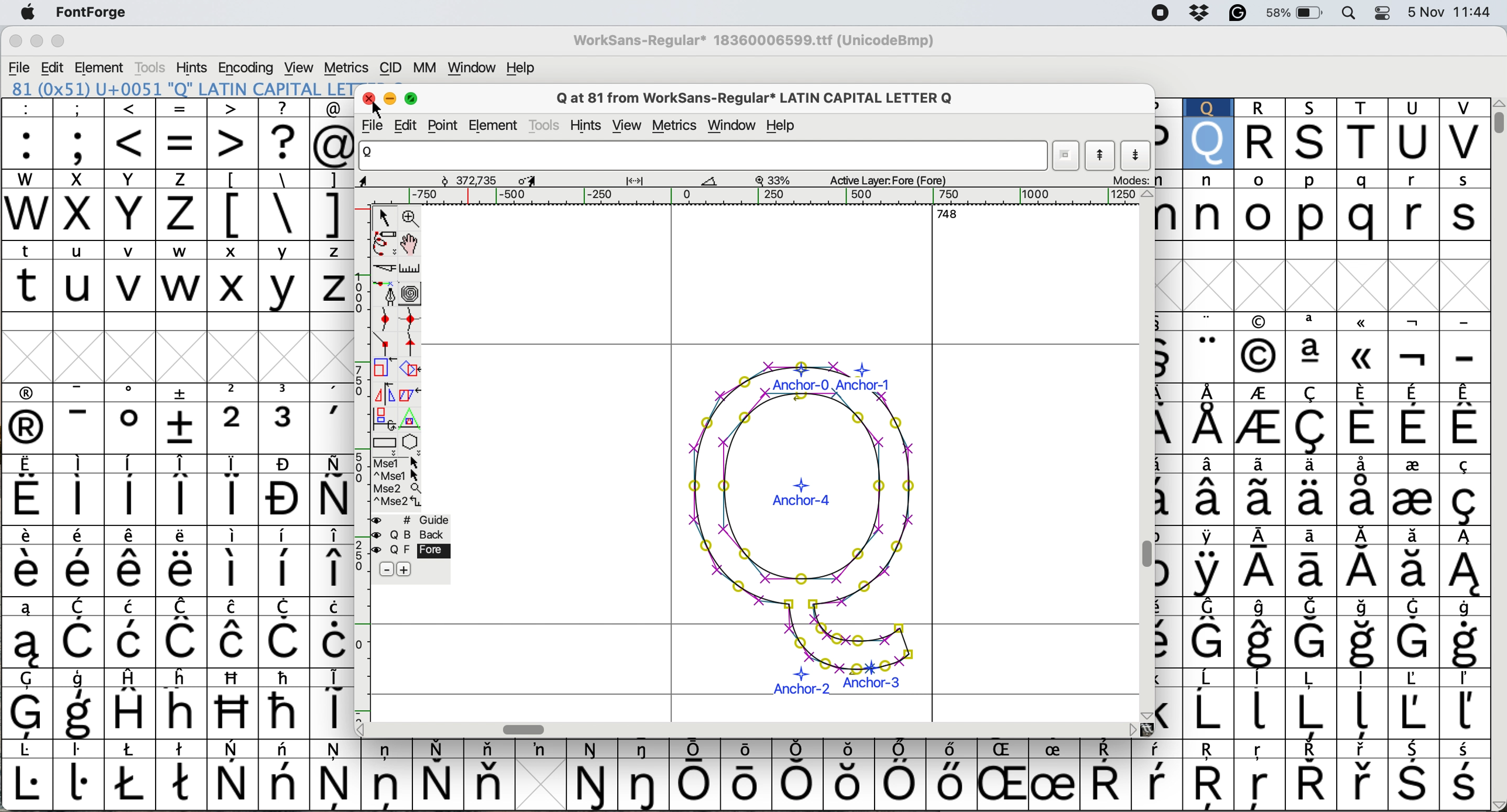 The width and height of the screenshot is (1507, 812). I want to click on element, so click(497, 125).